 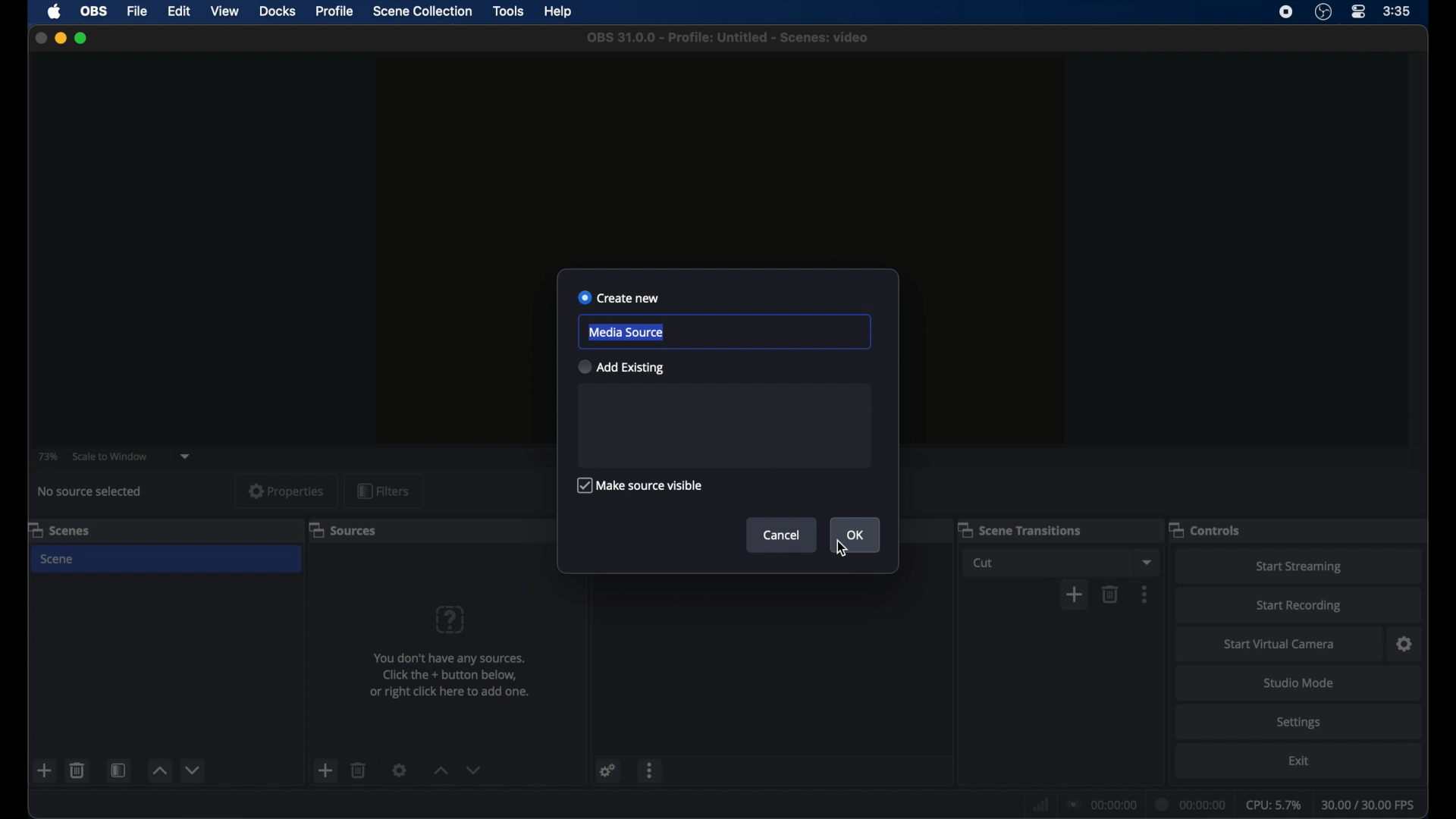 What do you see at coordinates (508, 11) in the screenshot?
I see `tools` at bounding box center [508, 11].